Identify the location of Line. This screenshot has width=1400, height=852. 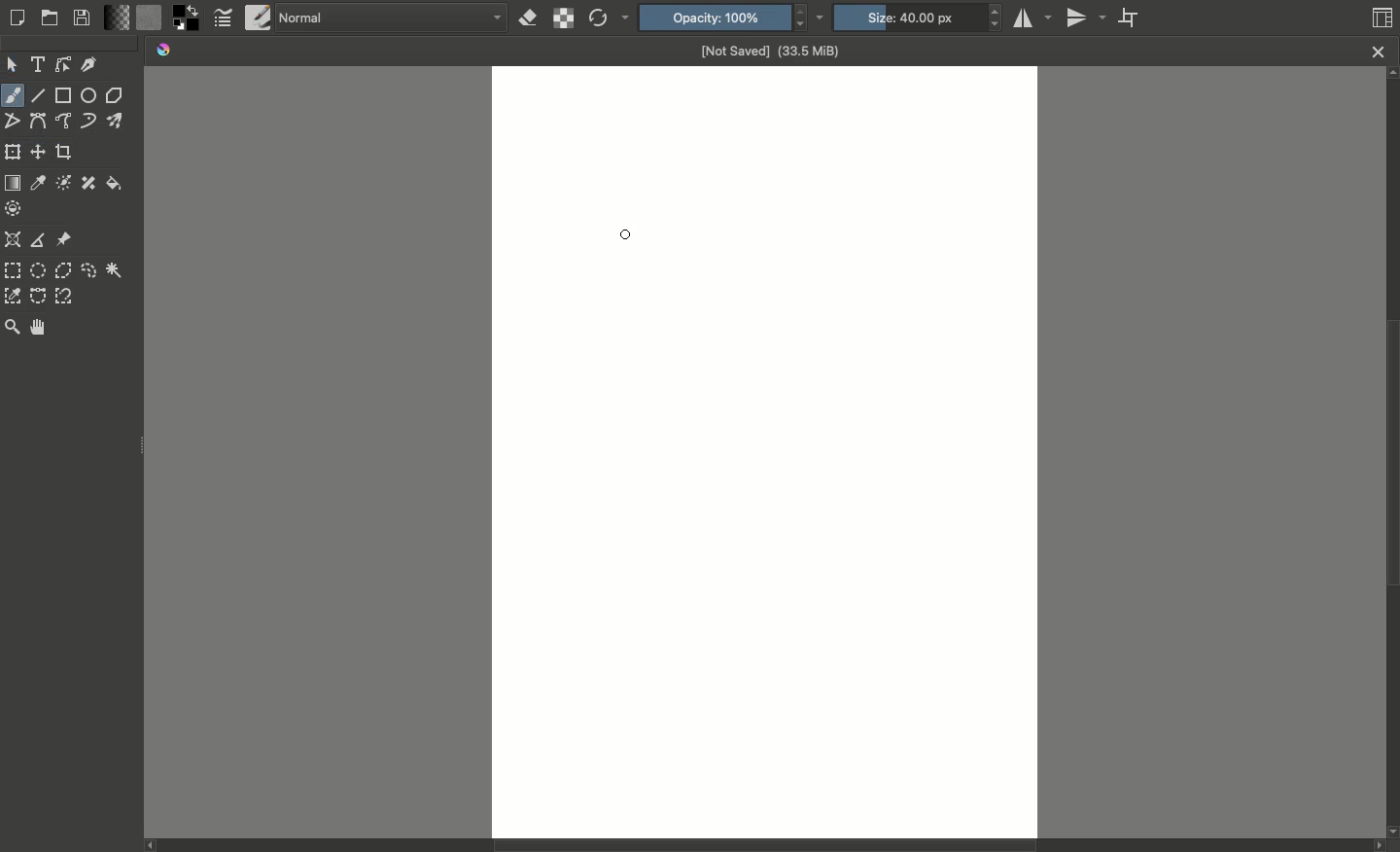
(40, 96).